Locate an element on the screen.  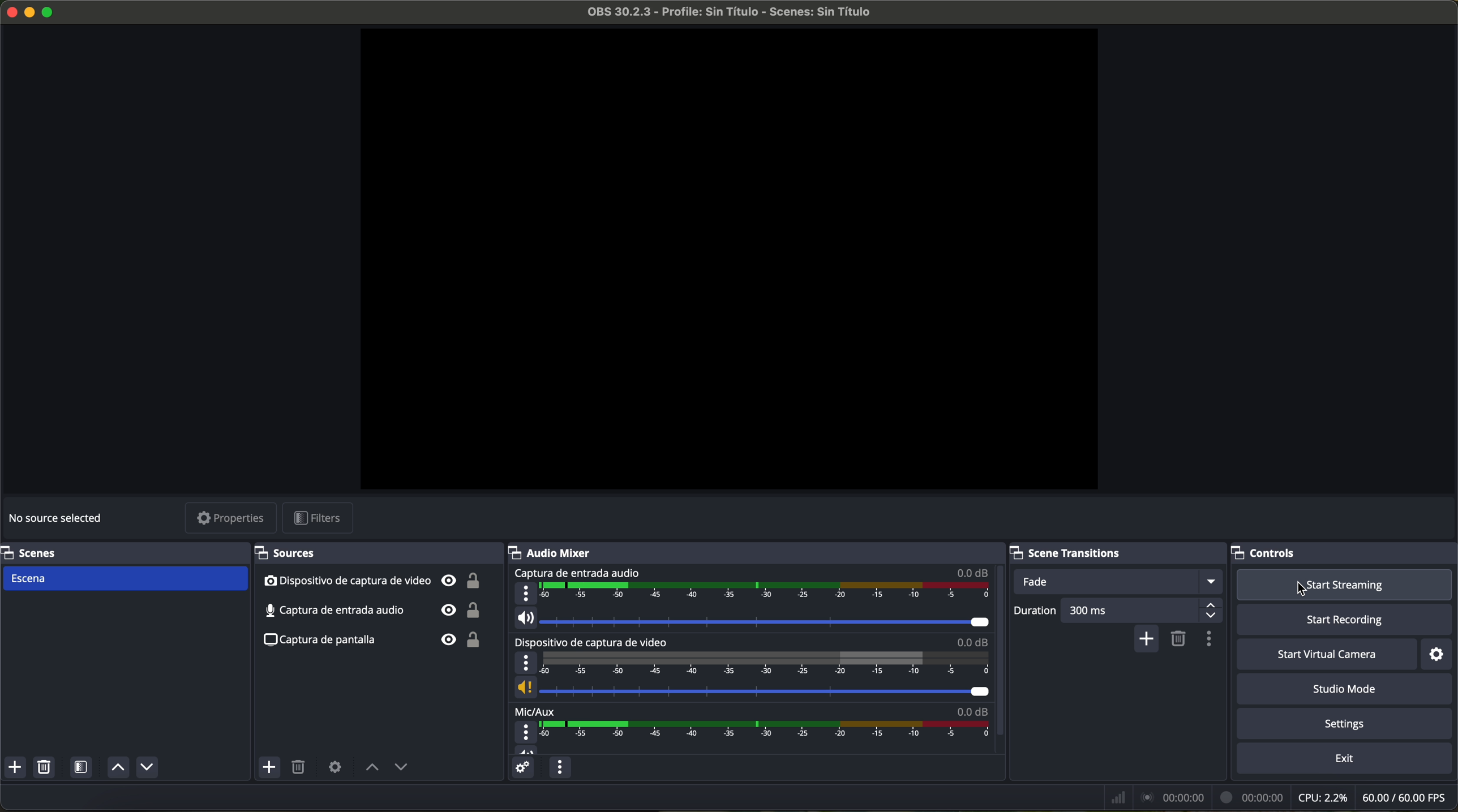
no source selected is located at coordinates (59, 516).